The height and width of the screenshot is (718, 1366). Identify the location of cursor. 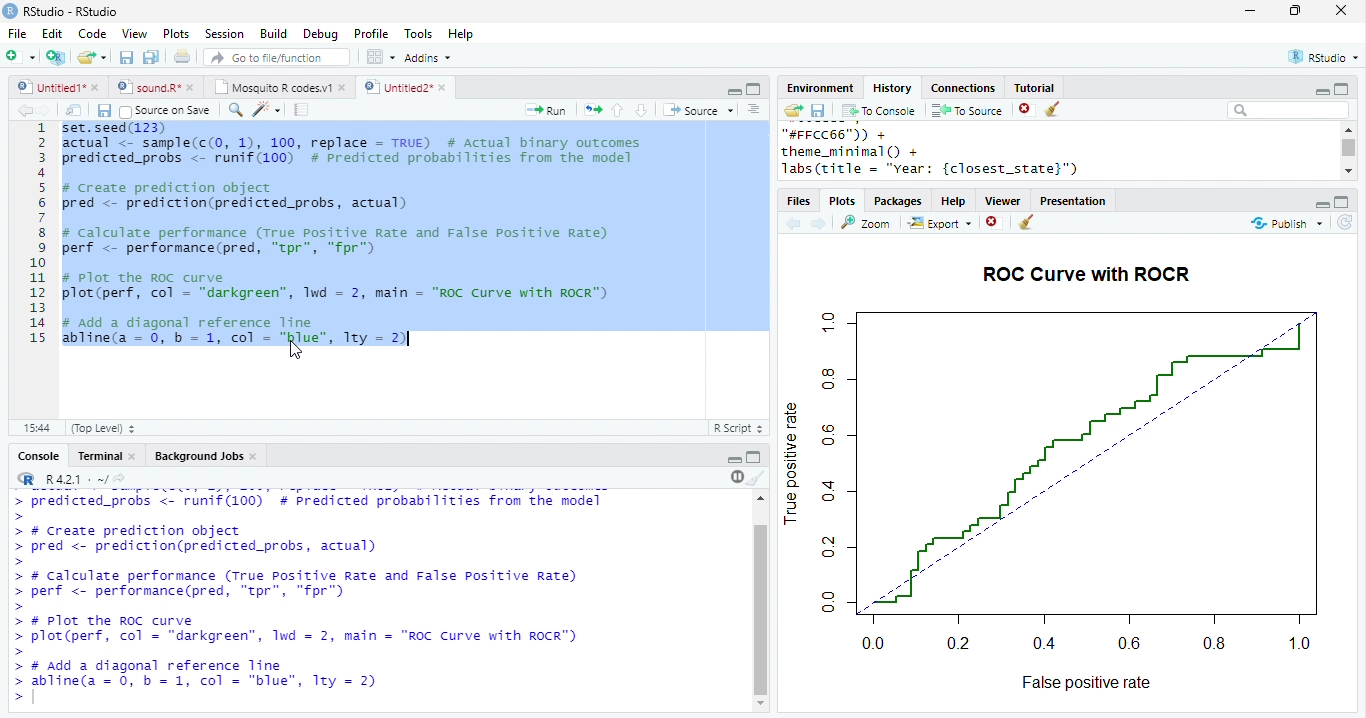
(295, 351).